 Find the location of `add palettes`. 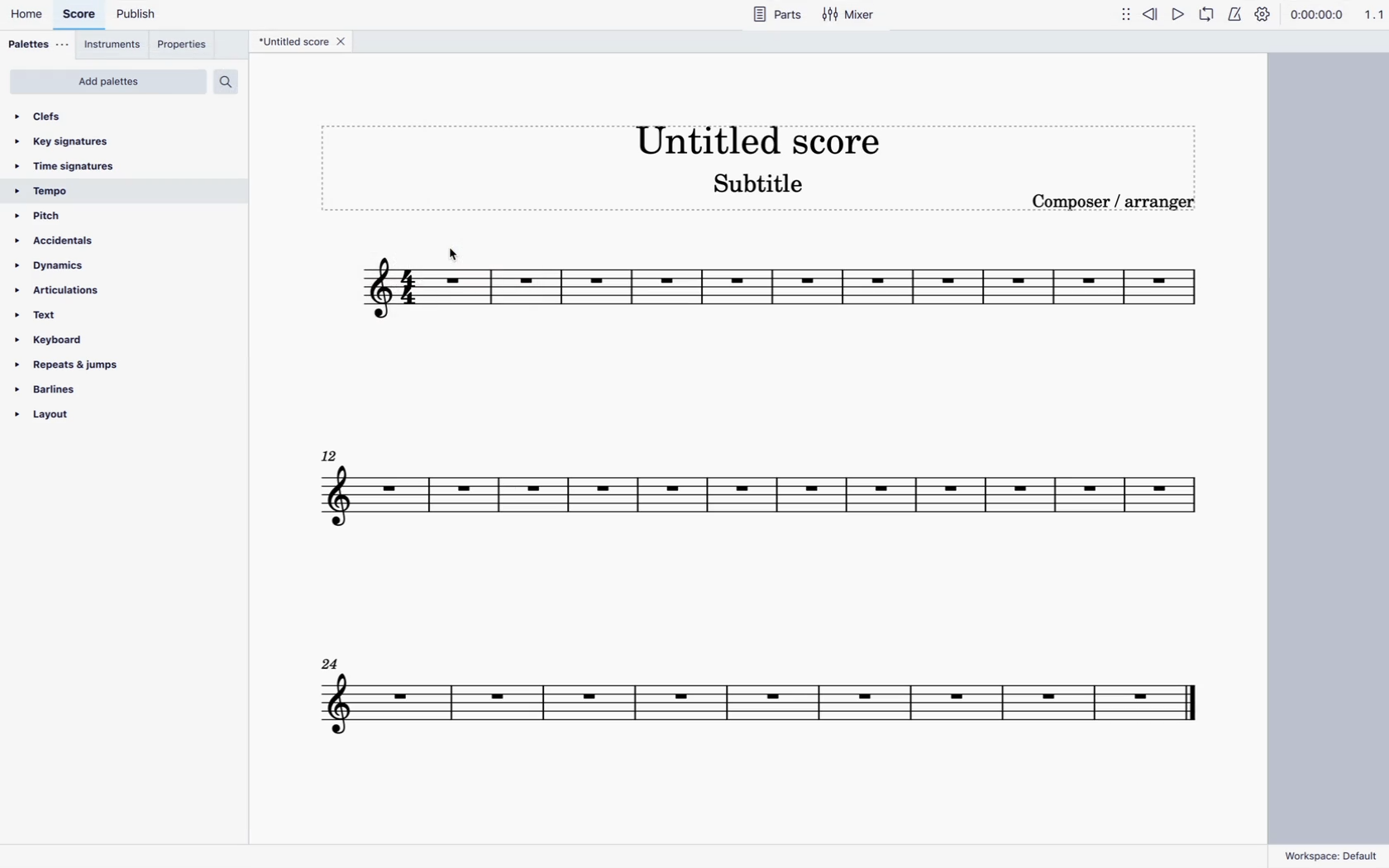

add palettes is located at coordinates (112, 82).